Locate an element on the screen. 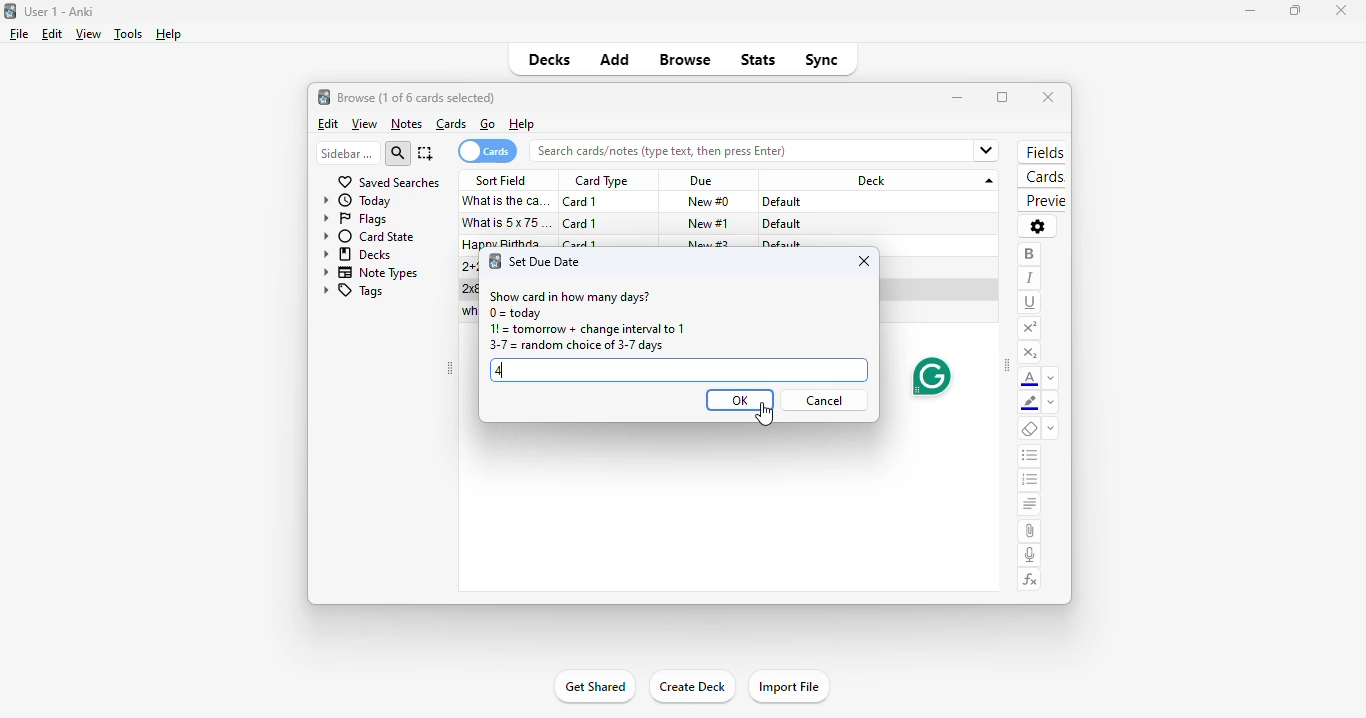 This screenshot has height=718, width=1366. OK is located at coordinates (739, 400).